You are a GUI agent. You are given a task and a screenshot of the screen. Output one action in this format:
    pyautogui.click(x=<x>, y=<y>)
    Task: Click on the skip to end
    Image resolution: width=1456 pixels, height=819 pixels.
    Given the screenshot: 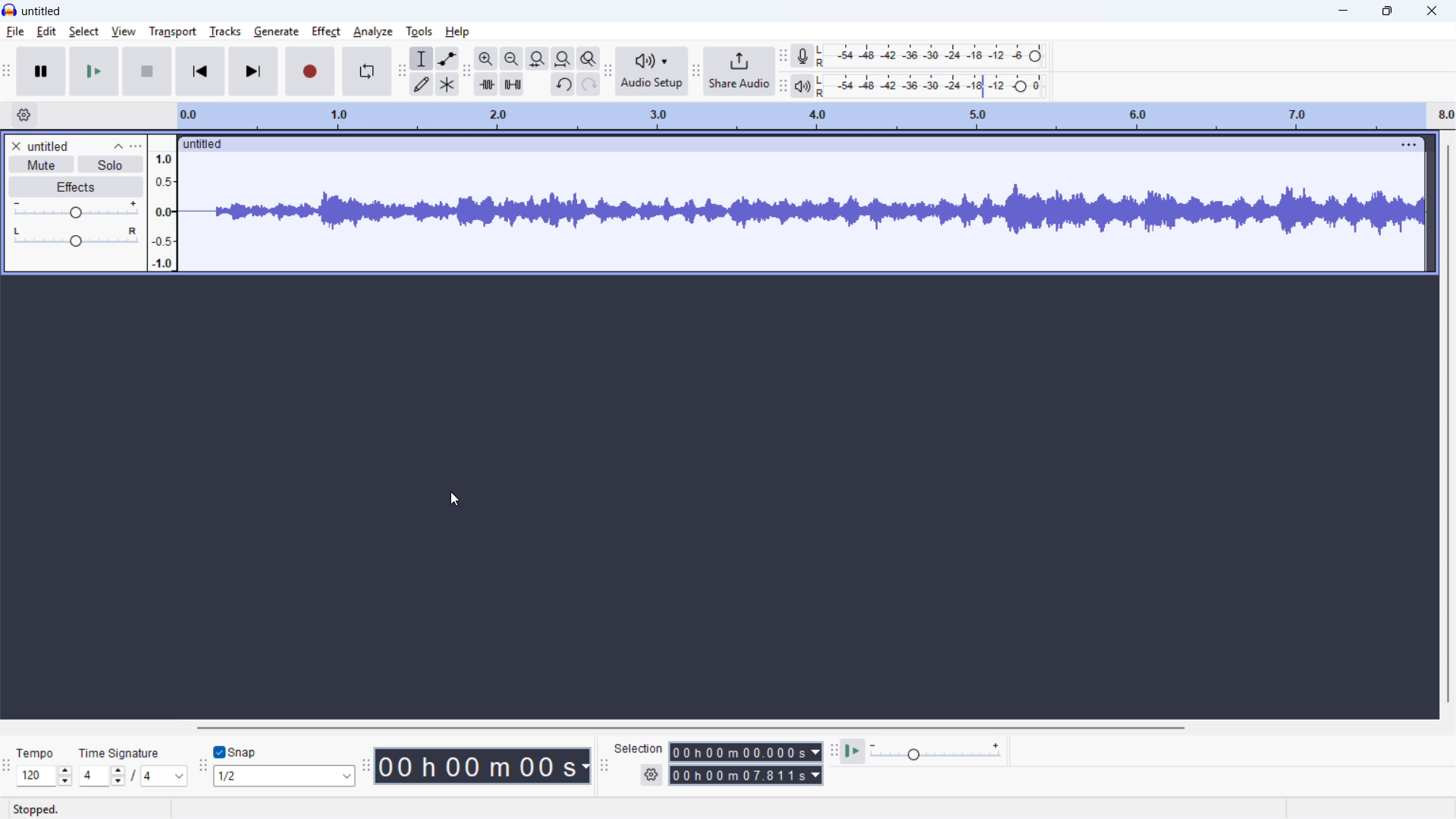 What is the action you would take?
    pyautogui.click(x=255, y=71)
    